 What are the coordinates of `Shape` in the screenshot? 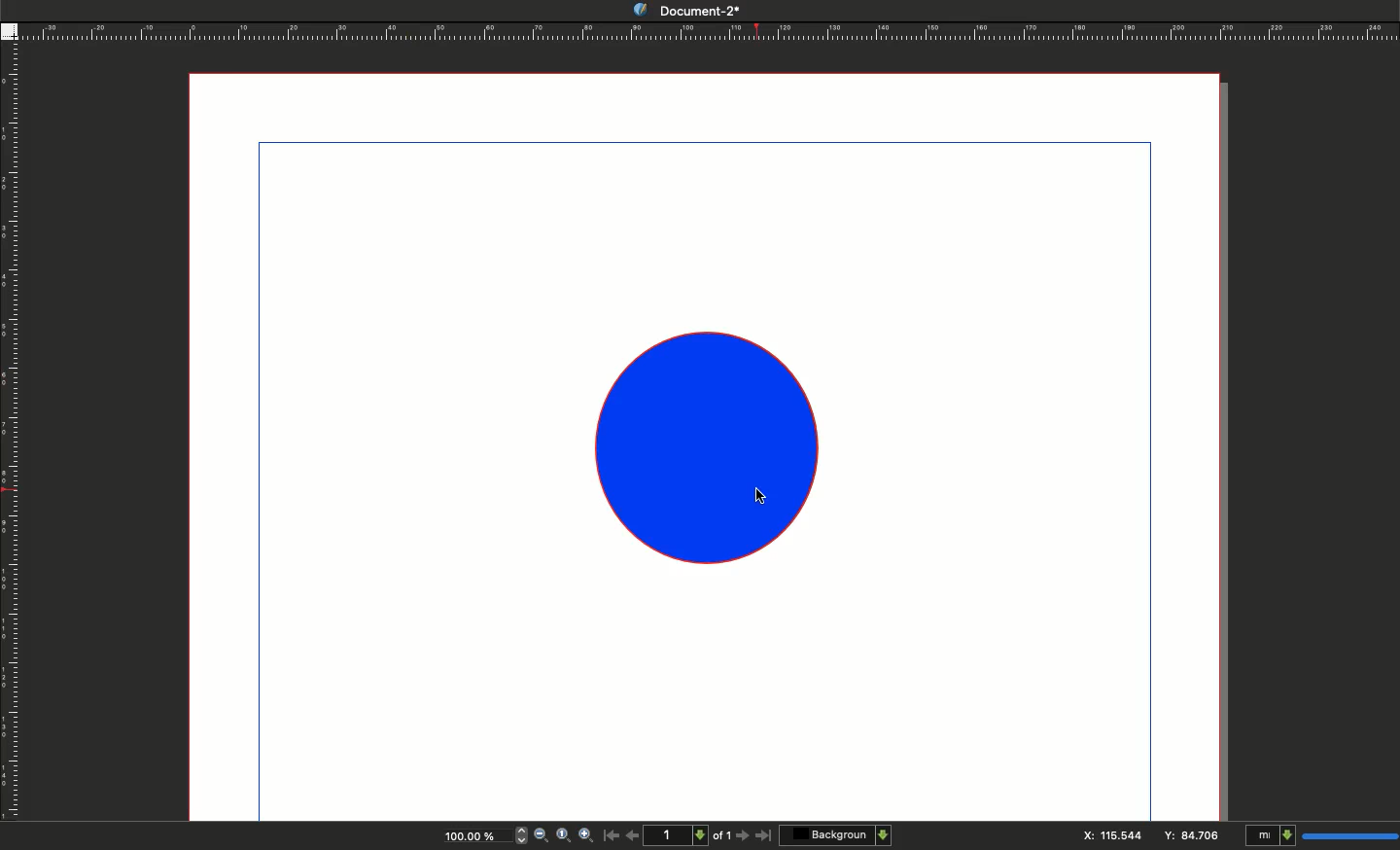 It's located at (713, 442).